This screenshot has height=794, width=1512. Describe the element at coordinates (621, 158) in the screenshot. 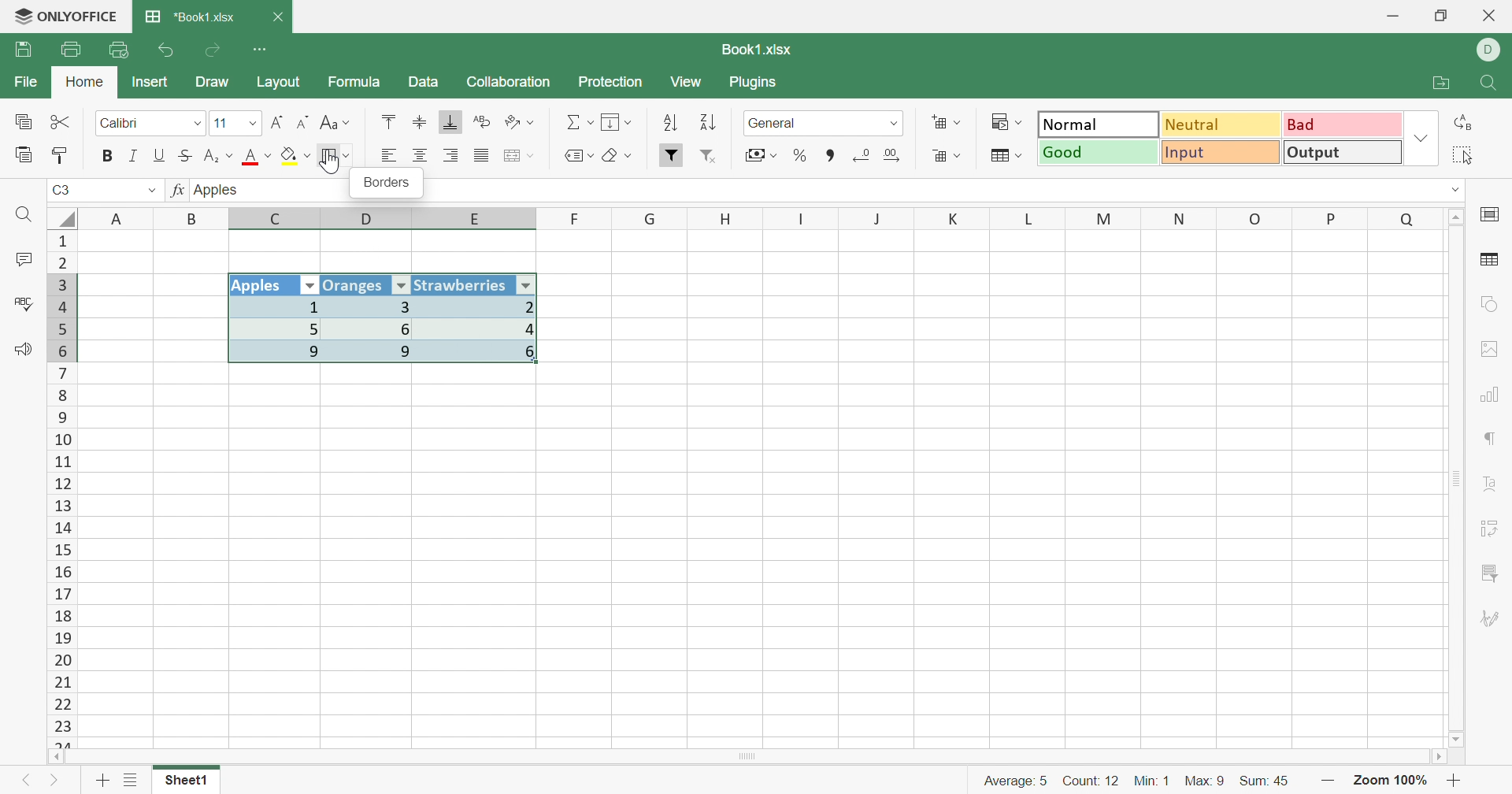

I see `Clear` at that location.